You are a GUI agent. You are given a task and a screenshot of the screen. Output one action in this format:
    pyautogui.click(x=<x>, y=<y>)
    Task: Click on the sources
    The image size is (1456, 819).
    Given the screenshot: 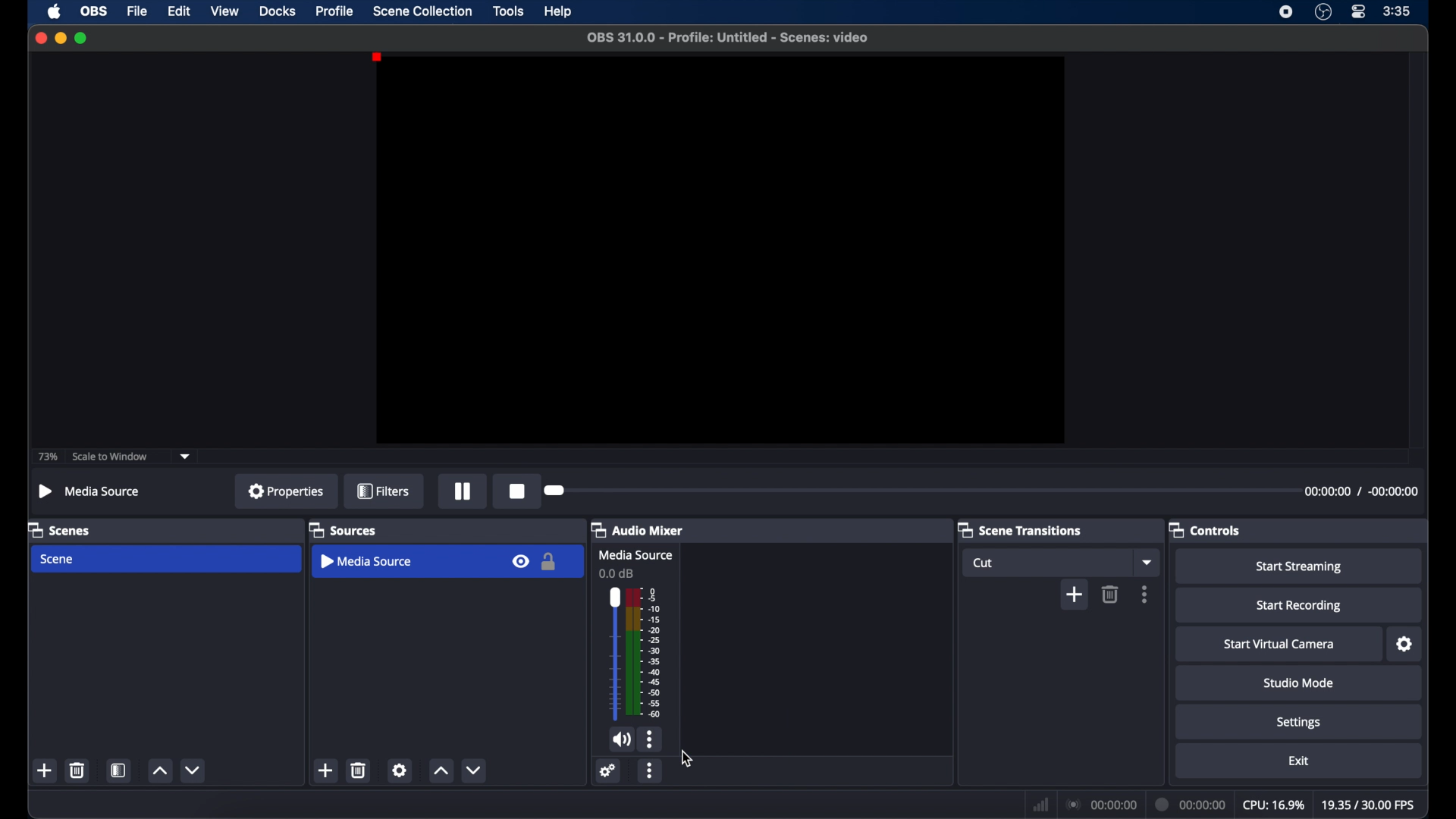 What is the action you would take?
    pyautogui.click(x=343, y=529)
    